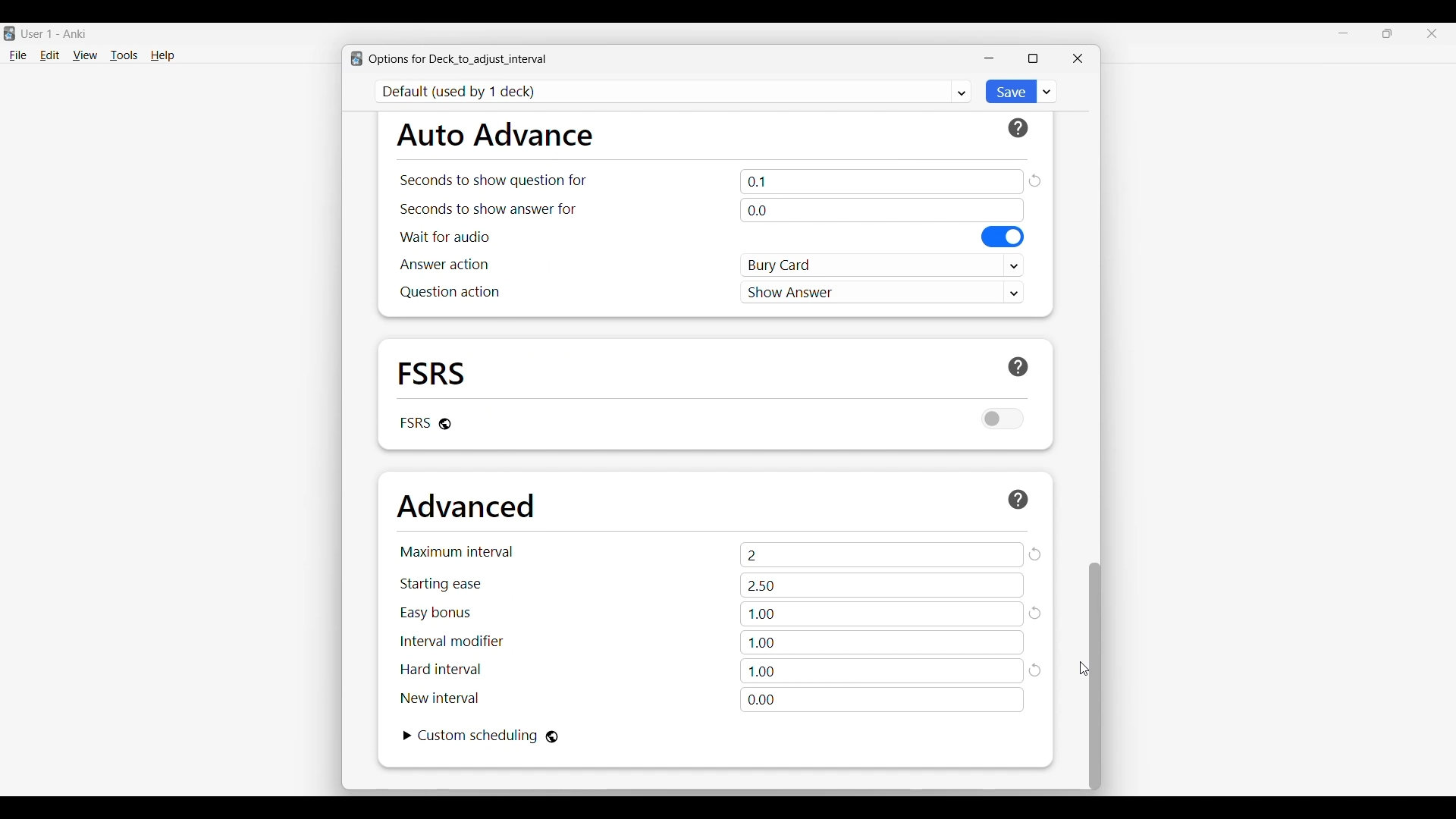  Describe the element at coordinates (1084, 669) in the screenshot. I see `Cursor position unchanged after dragging vertical slide bar` at that location.